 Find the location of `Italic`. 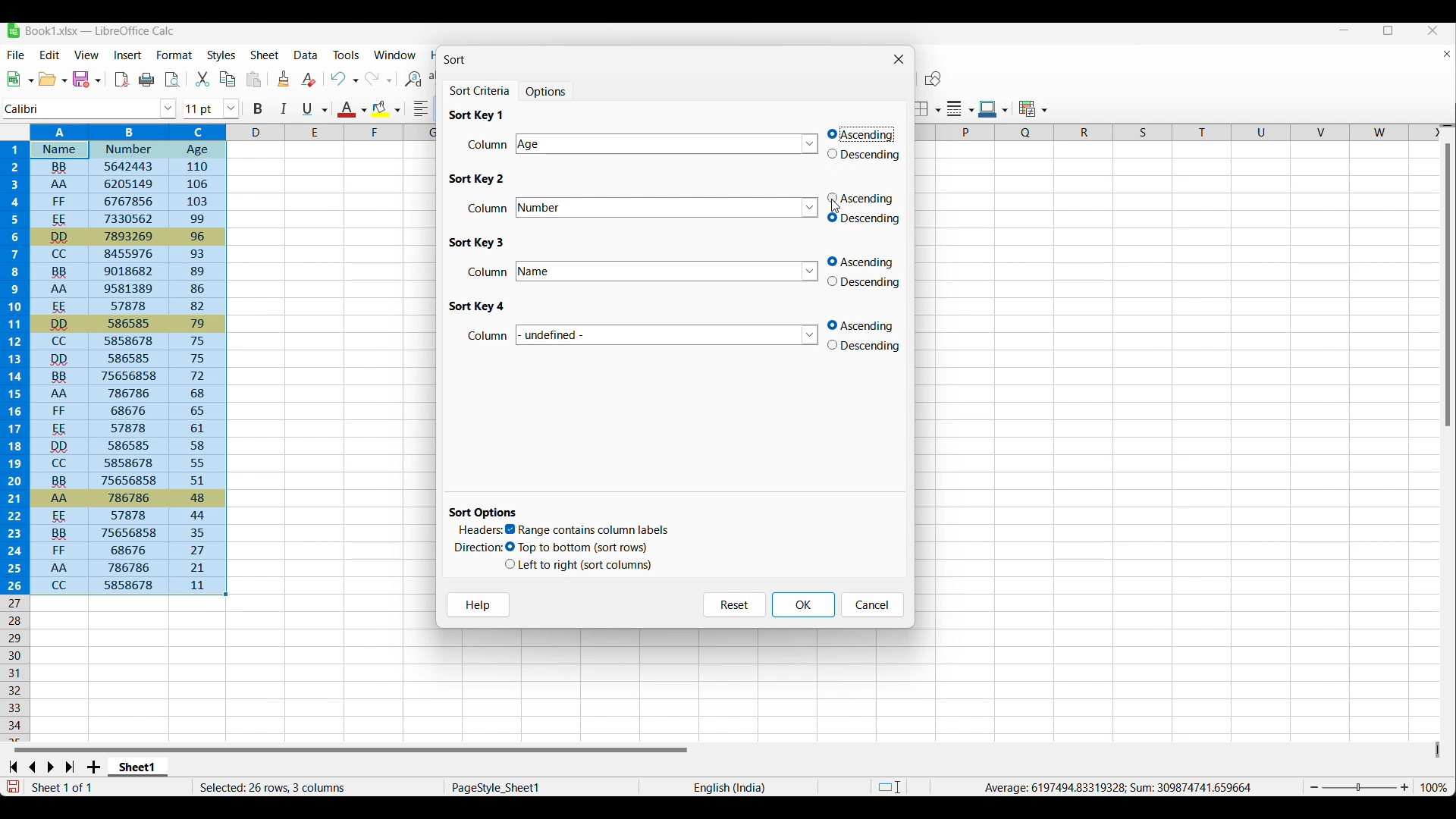

Italic is located at coordinates (284, 108).